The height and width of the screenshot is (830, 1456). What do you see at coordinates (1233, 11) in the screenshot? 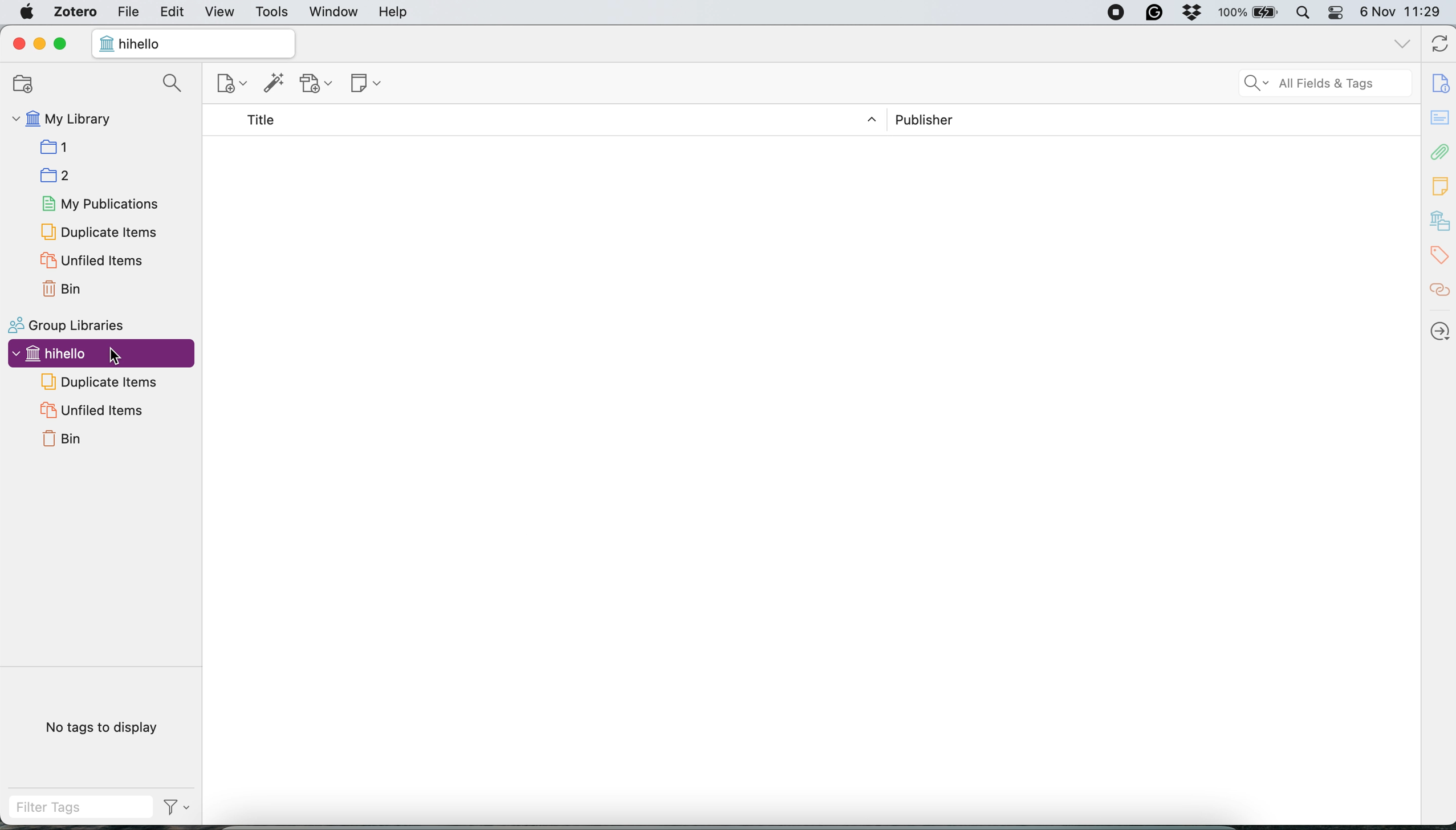
I see `100%` at bounding box center [1233, 11].